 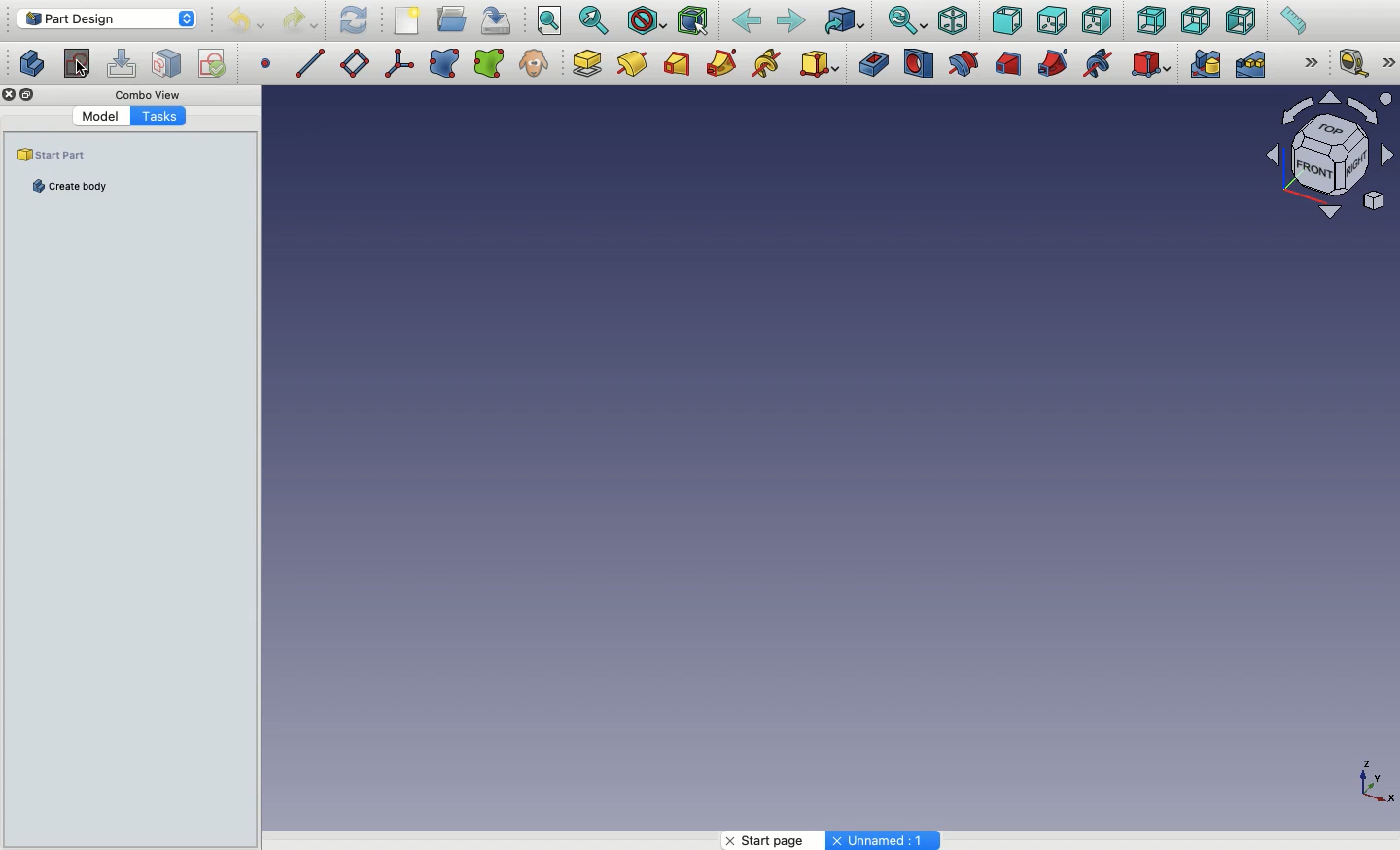 I want to click on Datum plane, so click(x=357, y=64).